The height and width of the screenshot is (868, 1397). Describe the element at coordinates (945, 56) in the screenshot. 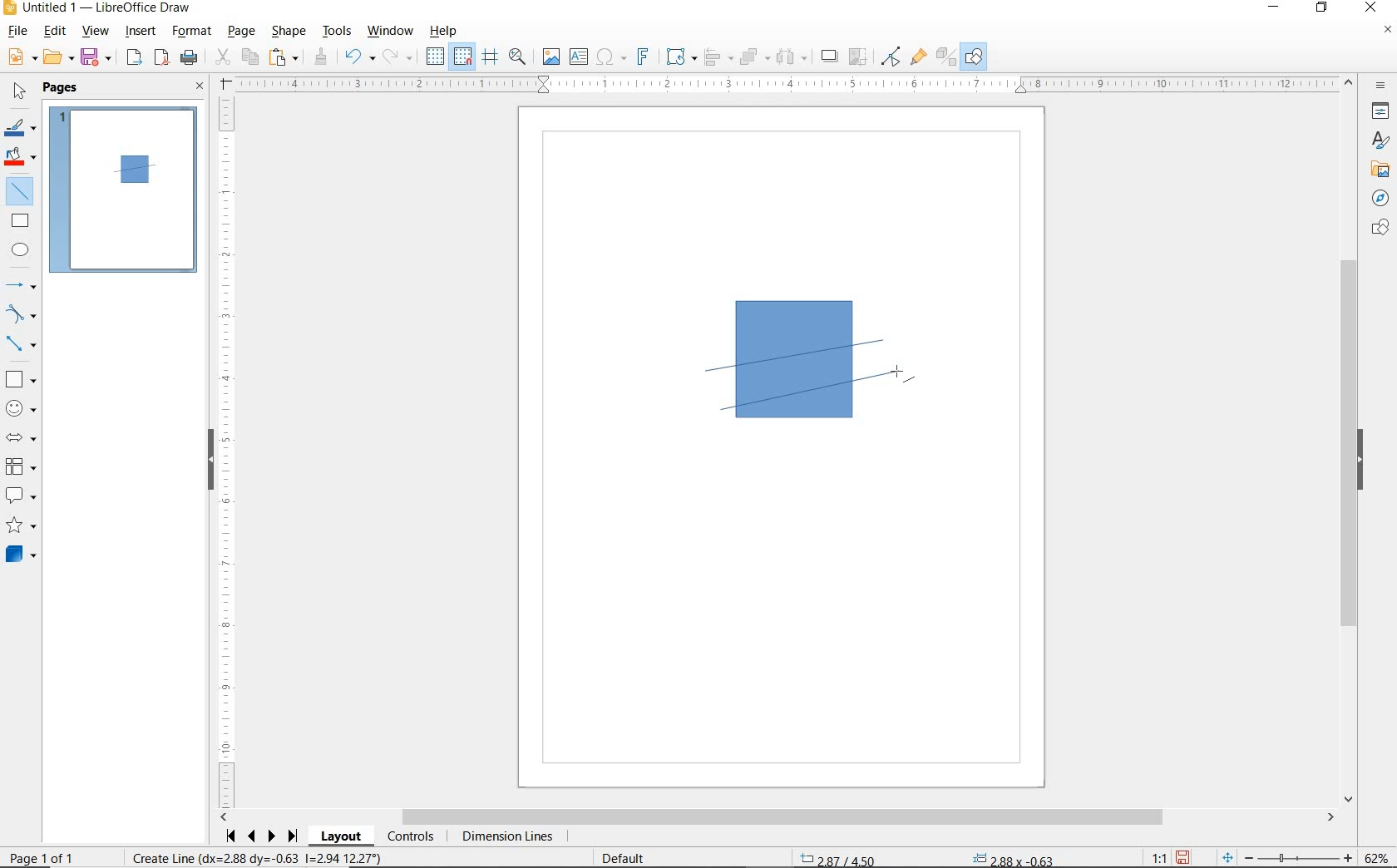

I see `TOGGLE EXTRUSION` at that location.